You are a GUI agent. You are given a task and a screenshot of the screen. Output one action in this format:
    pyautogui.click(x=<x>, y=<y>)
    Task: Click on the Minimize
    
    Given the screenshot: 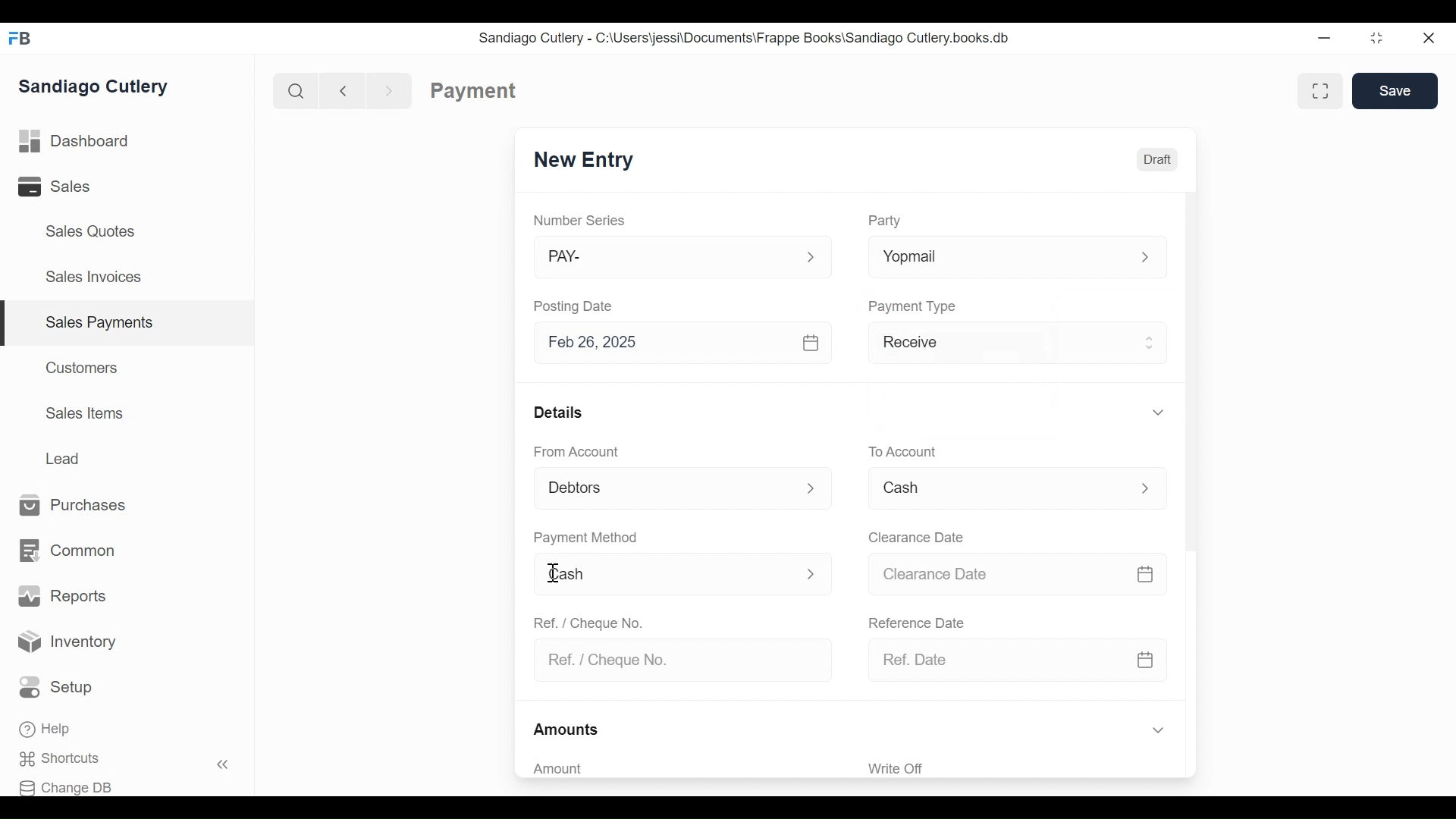 What is the action you would take?
    pyautogui.click(x=1324, y=39)
    